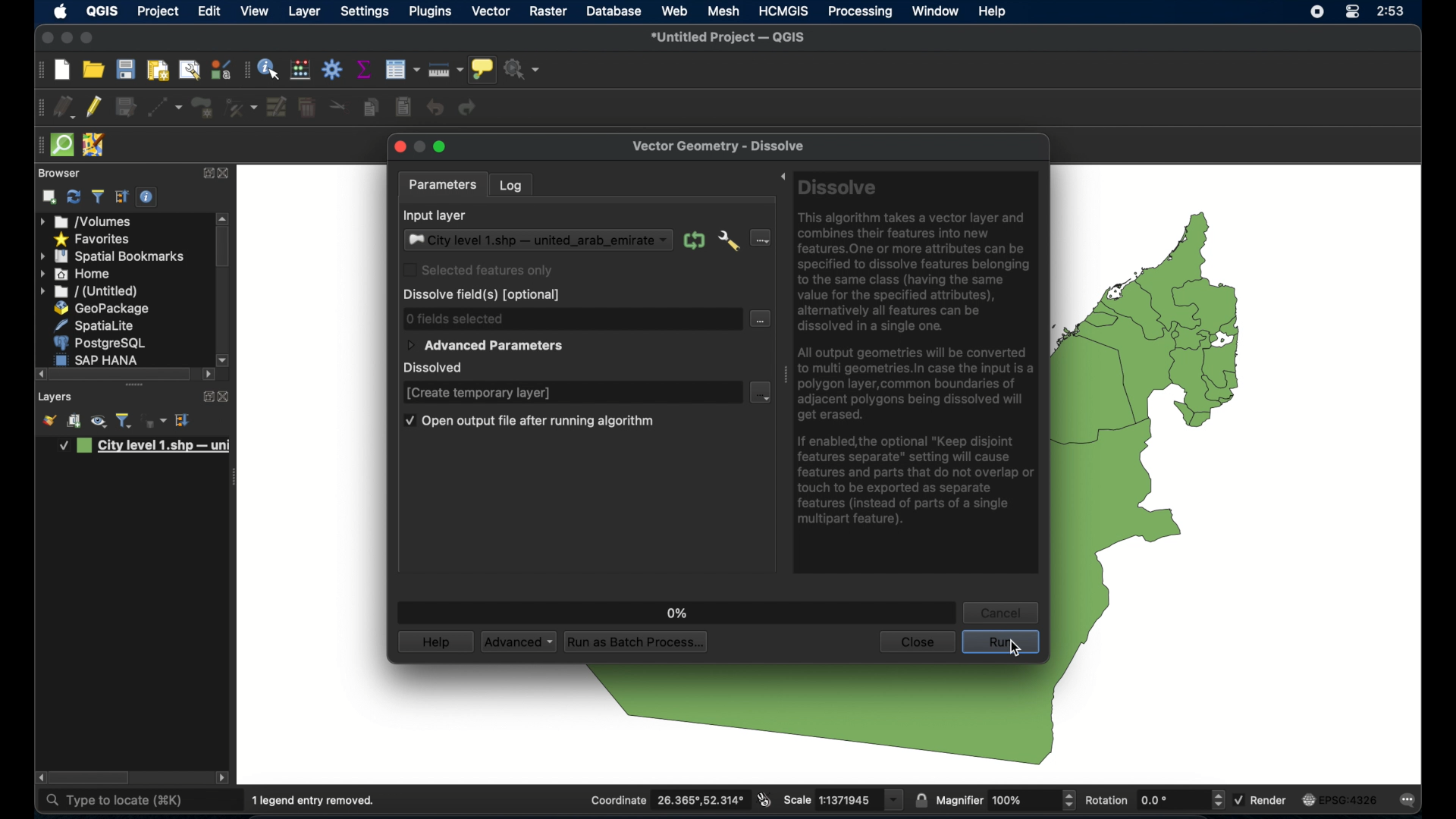 The width and height of the screenshot is (1456, 819). What do you see at coordinates (526, 71) in the screenshot?
I see `no action selected` at bounding box center [526, 71].